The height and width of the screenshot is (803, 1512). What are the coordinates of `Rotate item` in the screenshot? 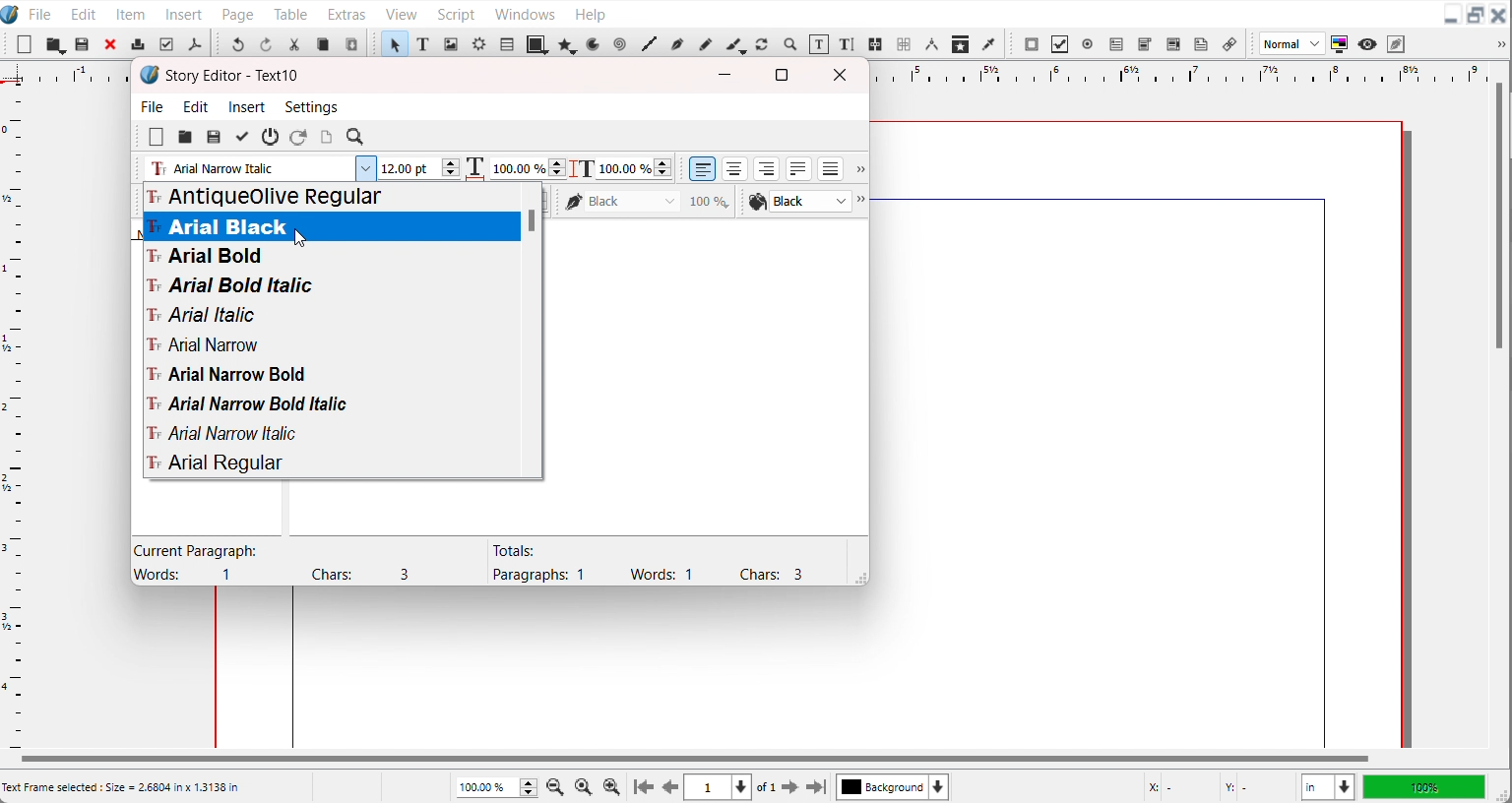 It's located at (762, 44).